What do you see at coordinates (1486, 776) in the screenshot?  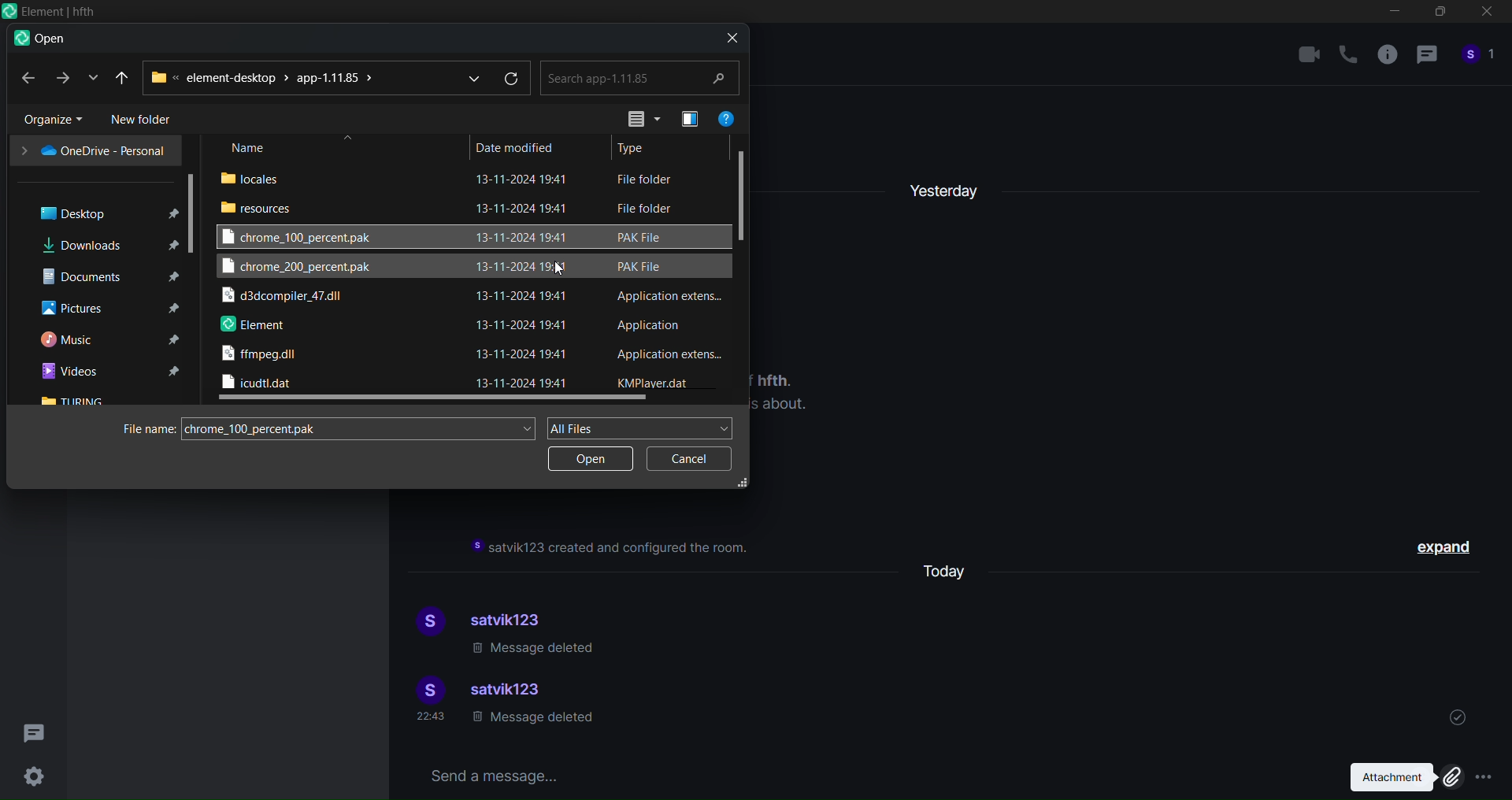 I see `more options` at bounding box center [1486, 776].